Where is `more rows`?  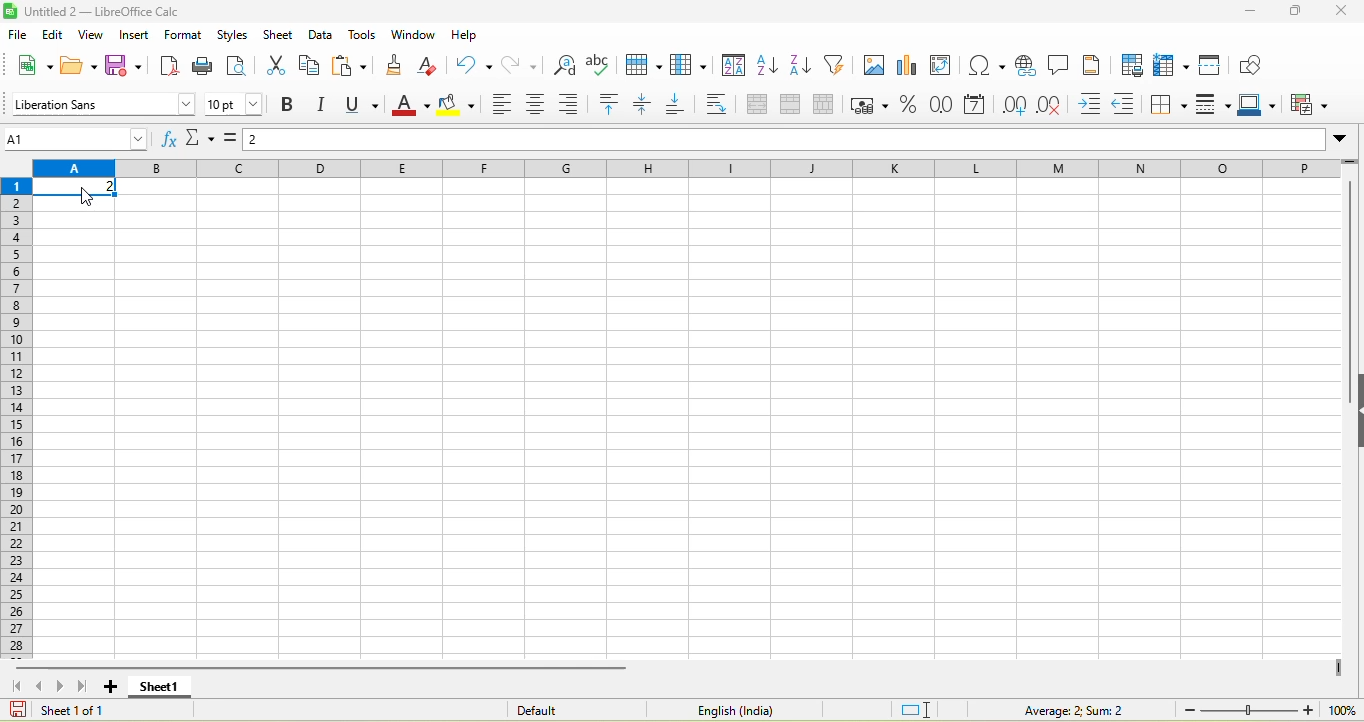 more rows is located at coordinates (1351, 166).